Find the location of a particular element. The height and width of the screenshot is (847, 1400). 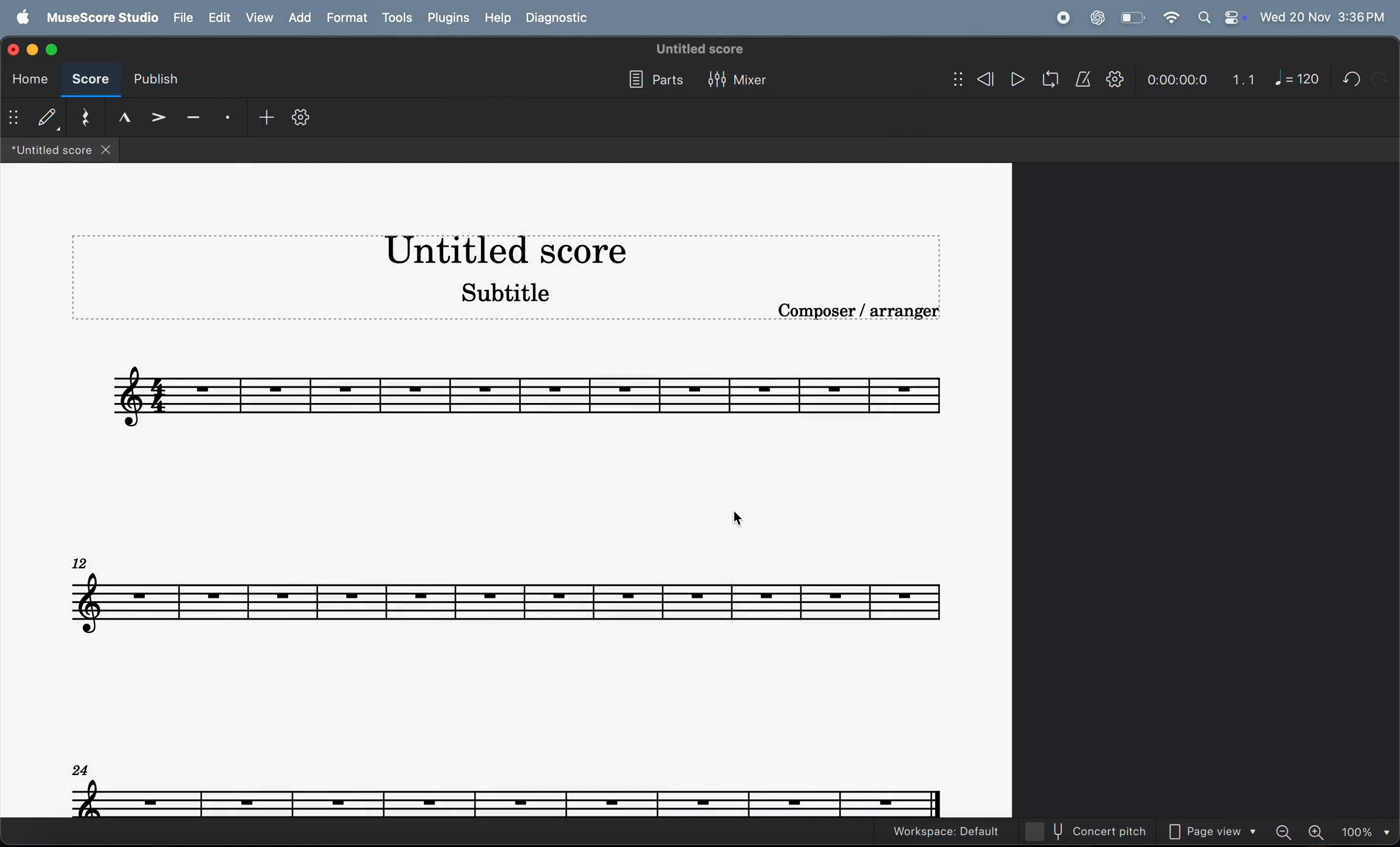

Redo is located at coordinates (1384, 78).